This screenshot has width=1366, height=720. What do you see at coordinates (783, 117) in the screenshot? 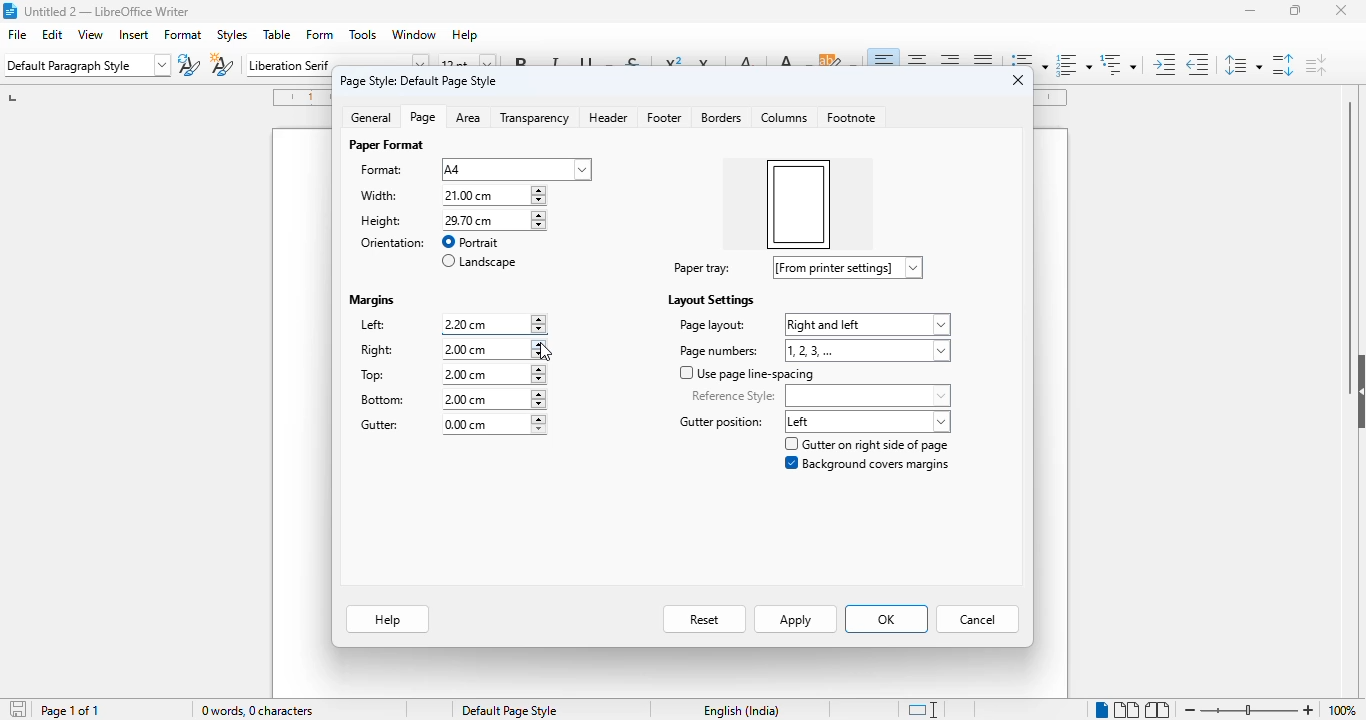
I see `columns` at bounding box center [783, 117].